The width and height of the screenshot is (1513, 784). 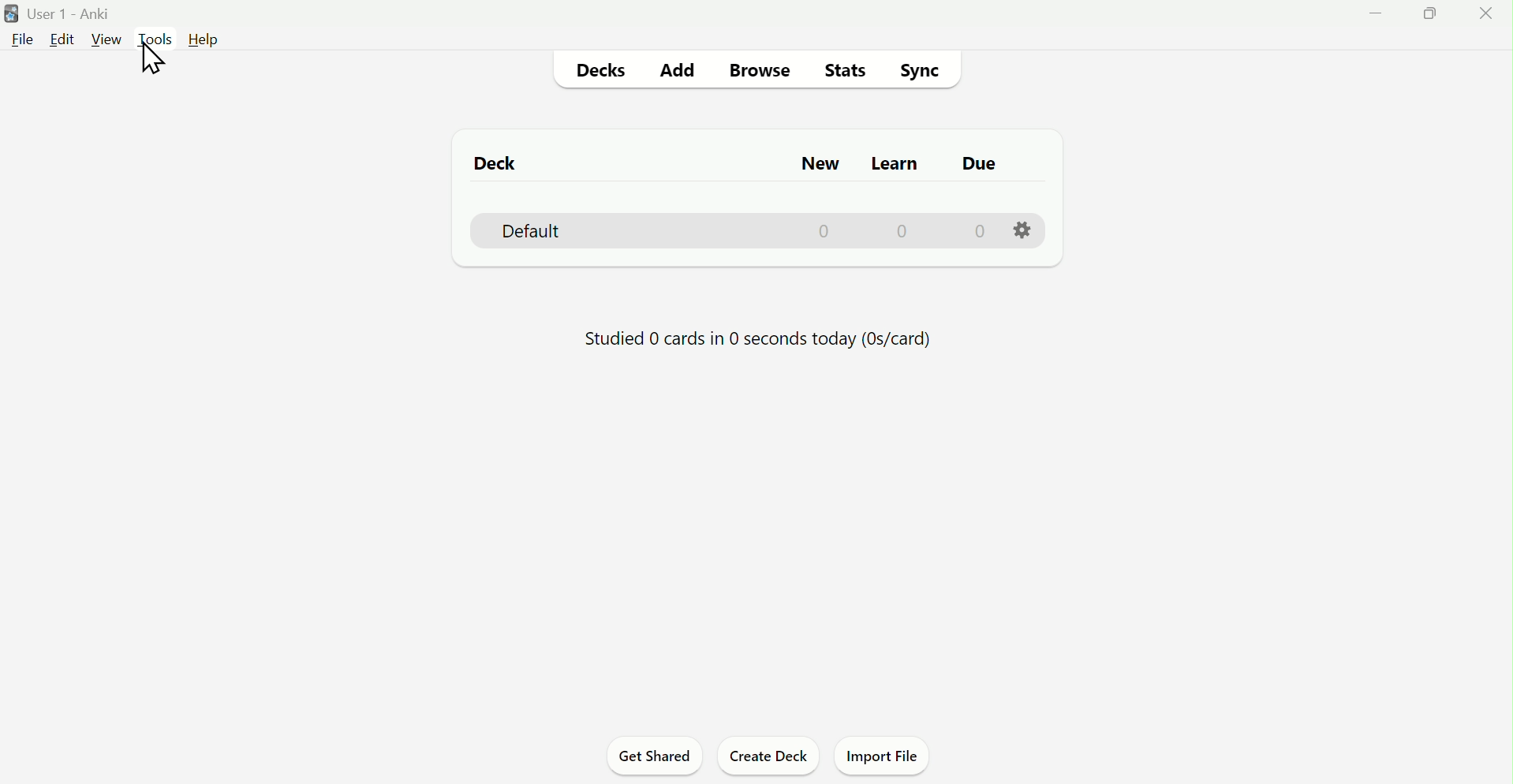 What do you see at coordinates (208, 40) in the screenshot?
I see `Help` at bounding box center [208, 40].